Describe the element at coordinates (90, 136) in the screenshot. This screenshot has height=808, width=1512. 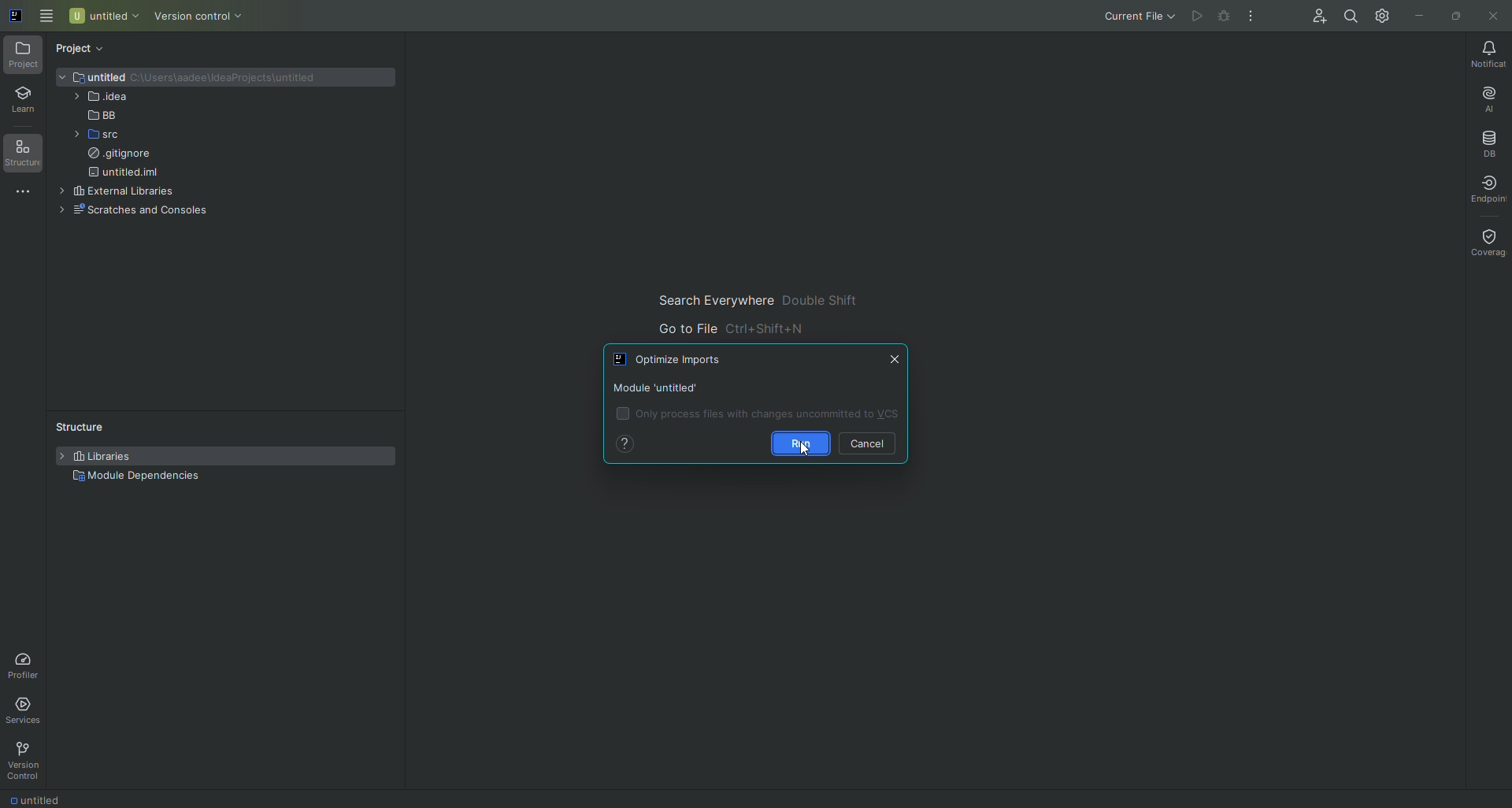
I see `src` at that location.